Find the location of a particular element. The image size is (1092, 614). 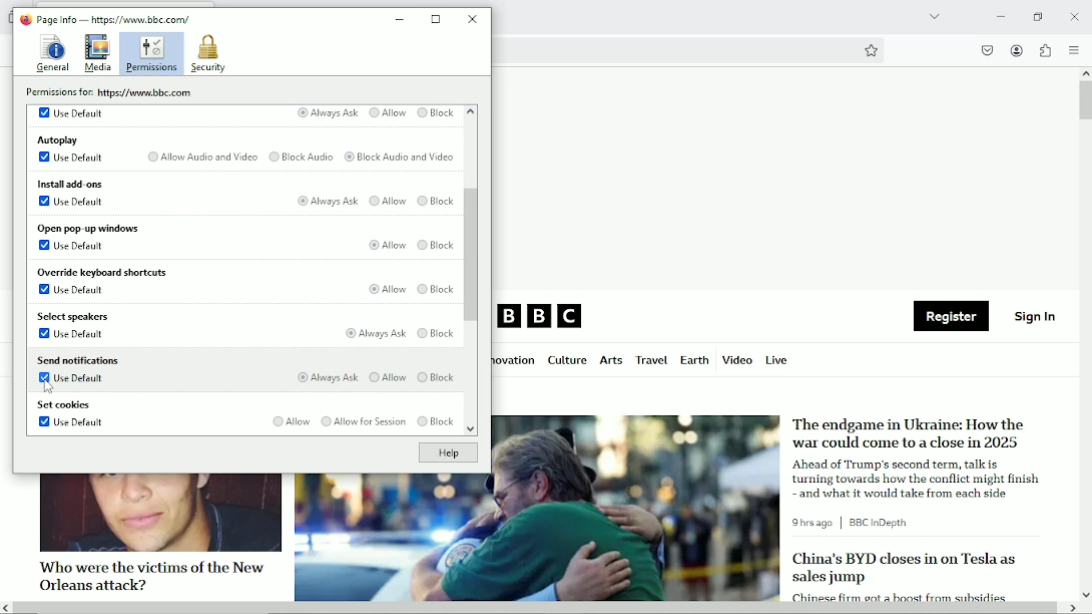

open application menu is located at coordinates (1073, 50).